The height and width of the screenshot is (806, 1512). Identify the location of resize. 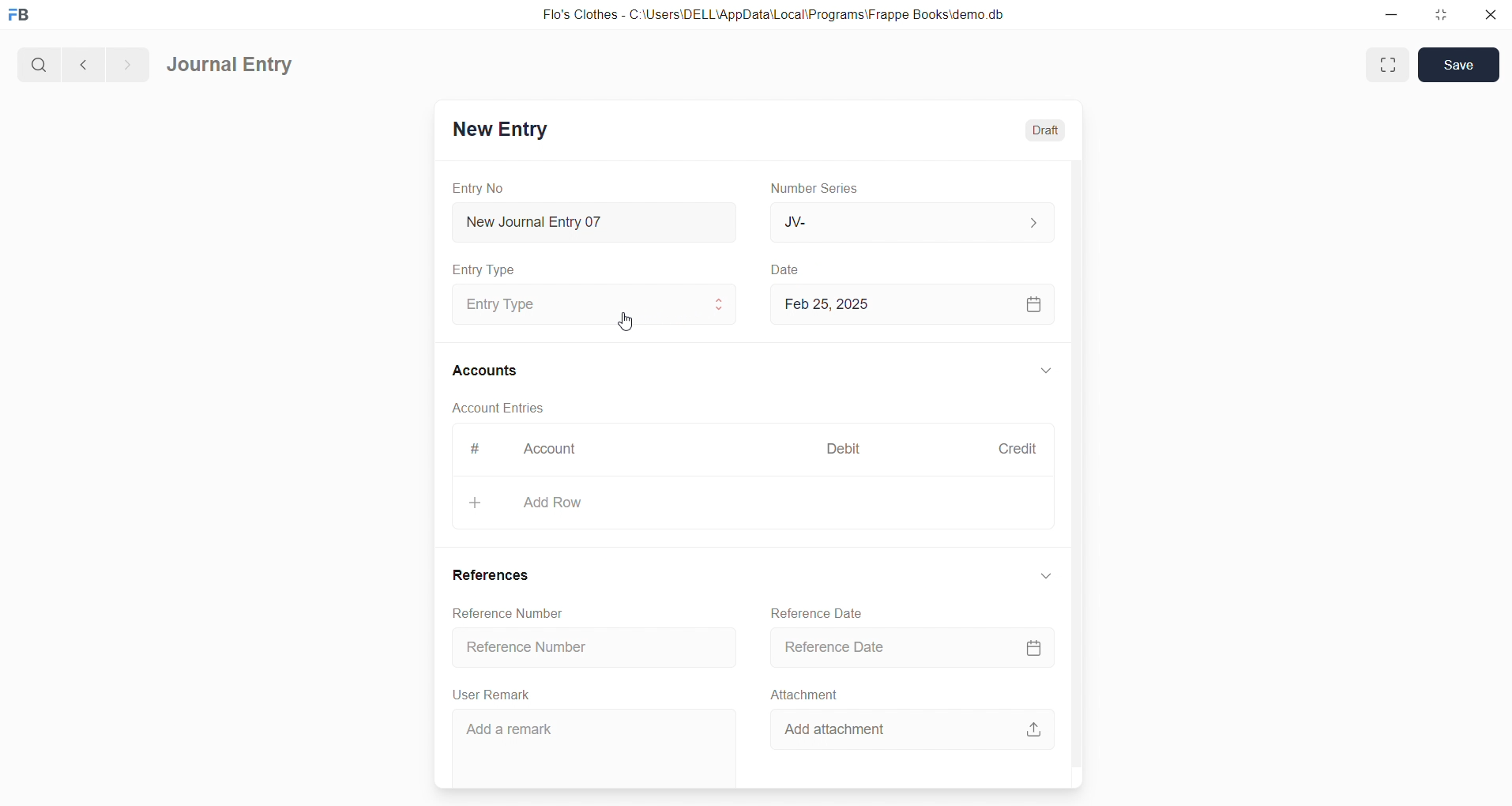
(1439, 16).